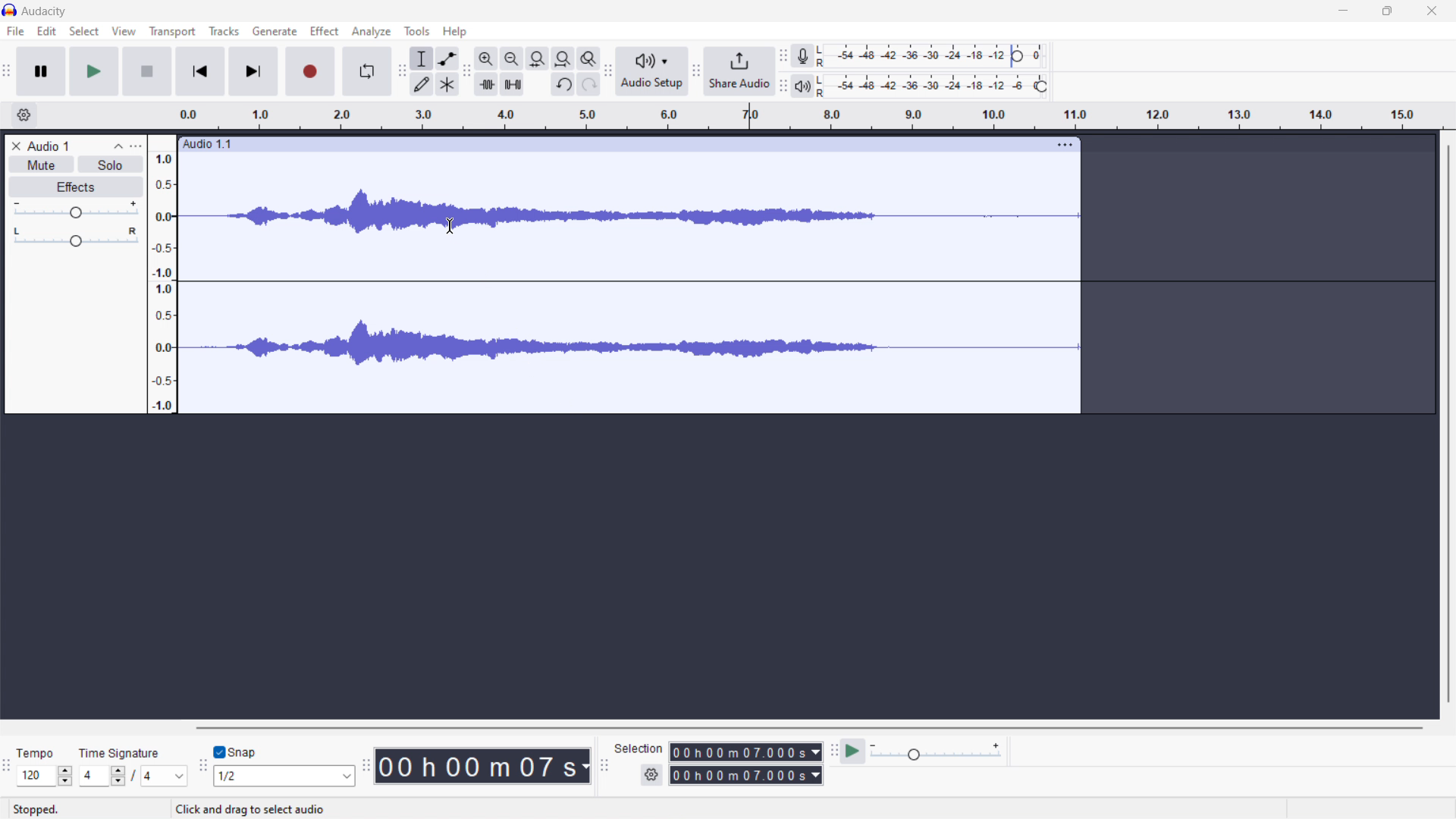 Image resolution: width=1456 pixels, height=819 pixels. What do you see at coordinates (76, 240) in the screenshot?
I see `pan: centre` at bounding box center [76, 240].